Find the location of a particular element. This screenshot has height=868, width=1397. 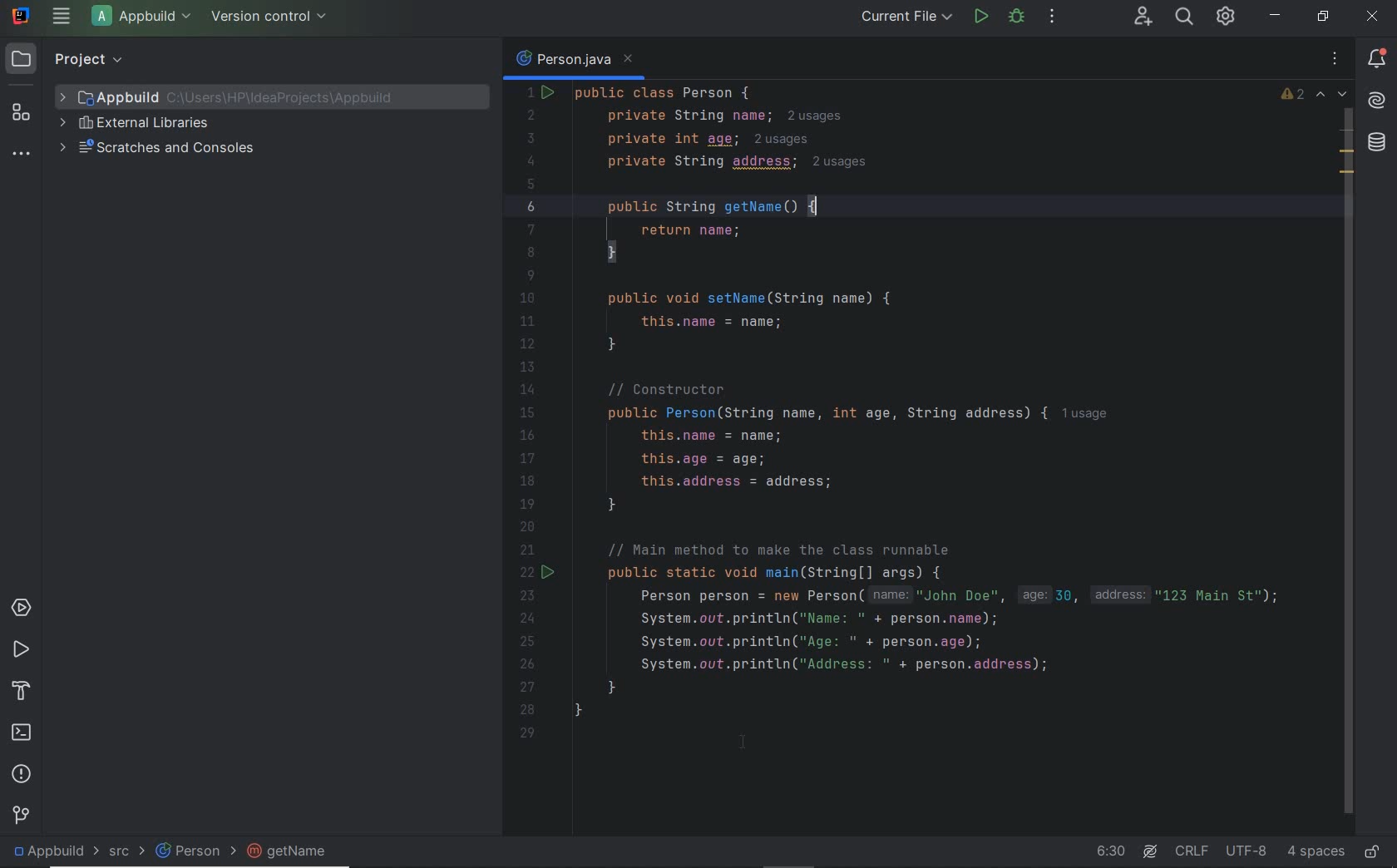

getters and setters automatically added is located at coordinates (709, 228).